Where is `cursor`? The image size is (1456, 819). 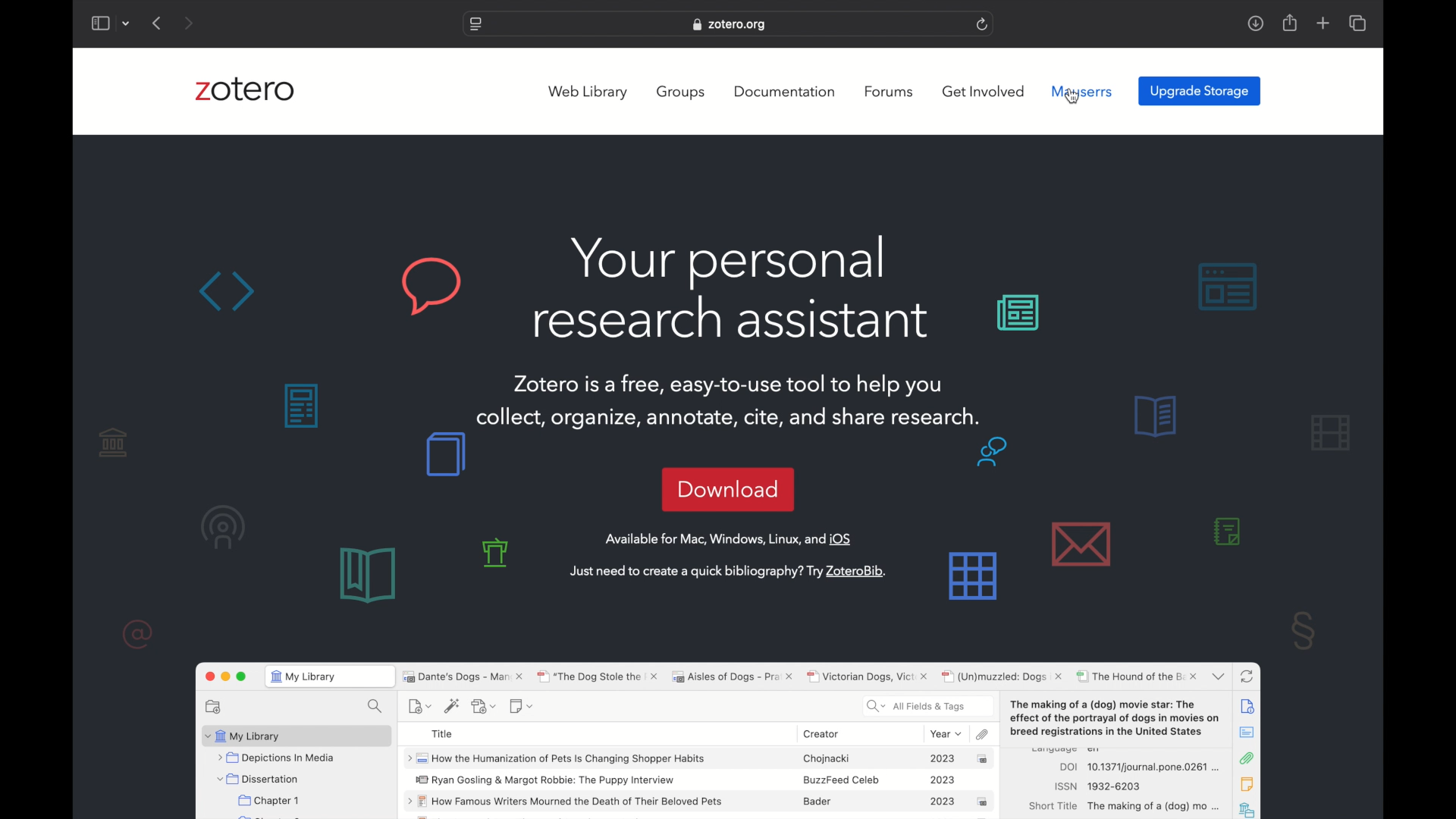 cursor is located at coordinates (1071, 96).